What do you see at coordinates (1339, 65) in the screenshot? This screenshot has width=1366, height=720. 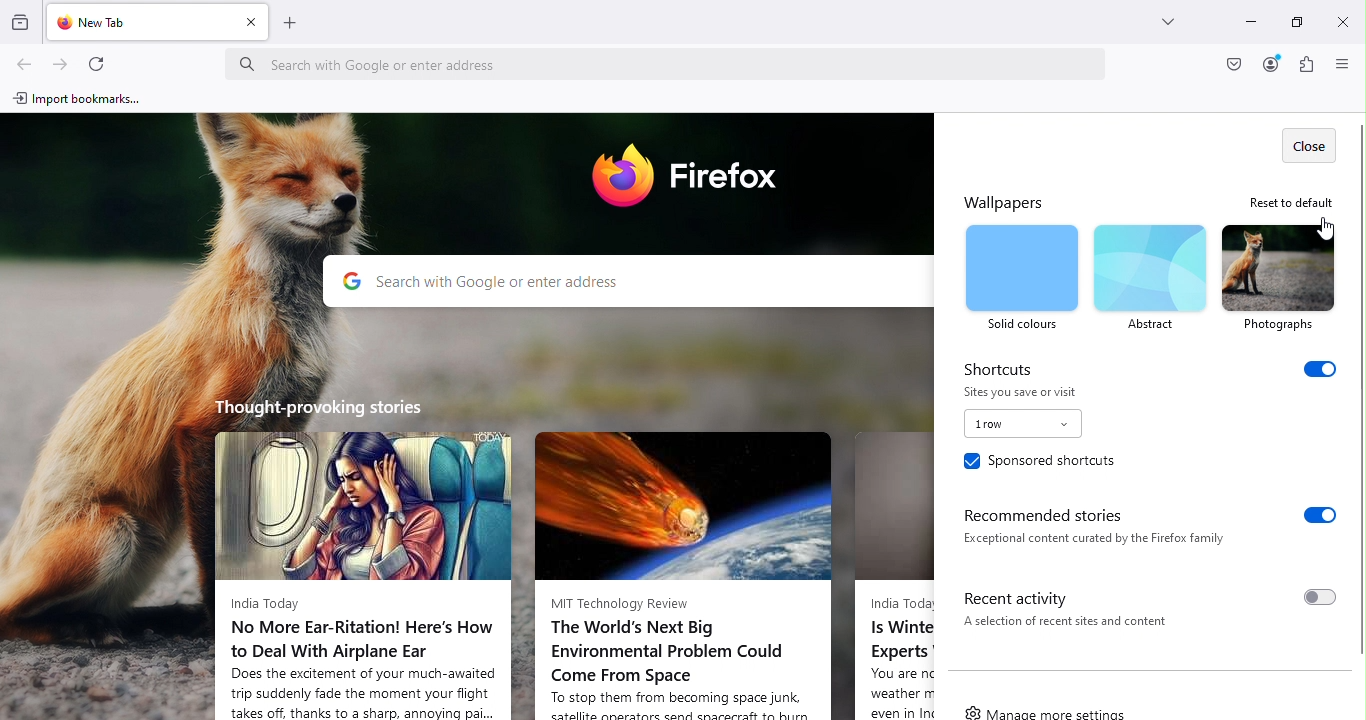 I see `Open application menu` at bounding box center [1339, 65].